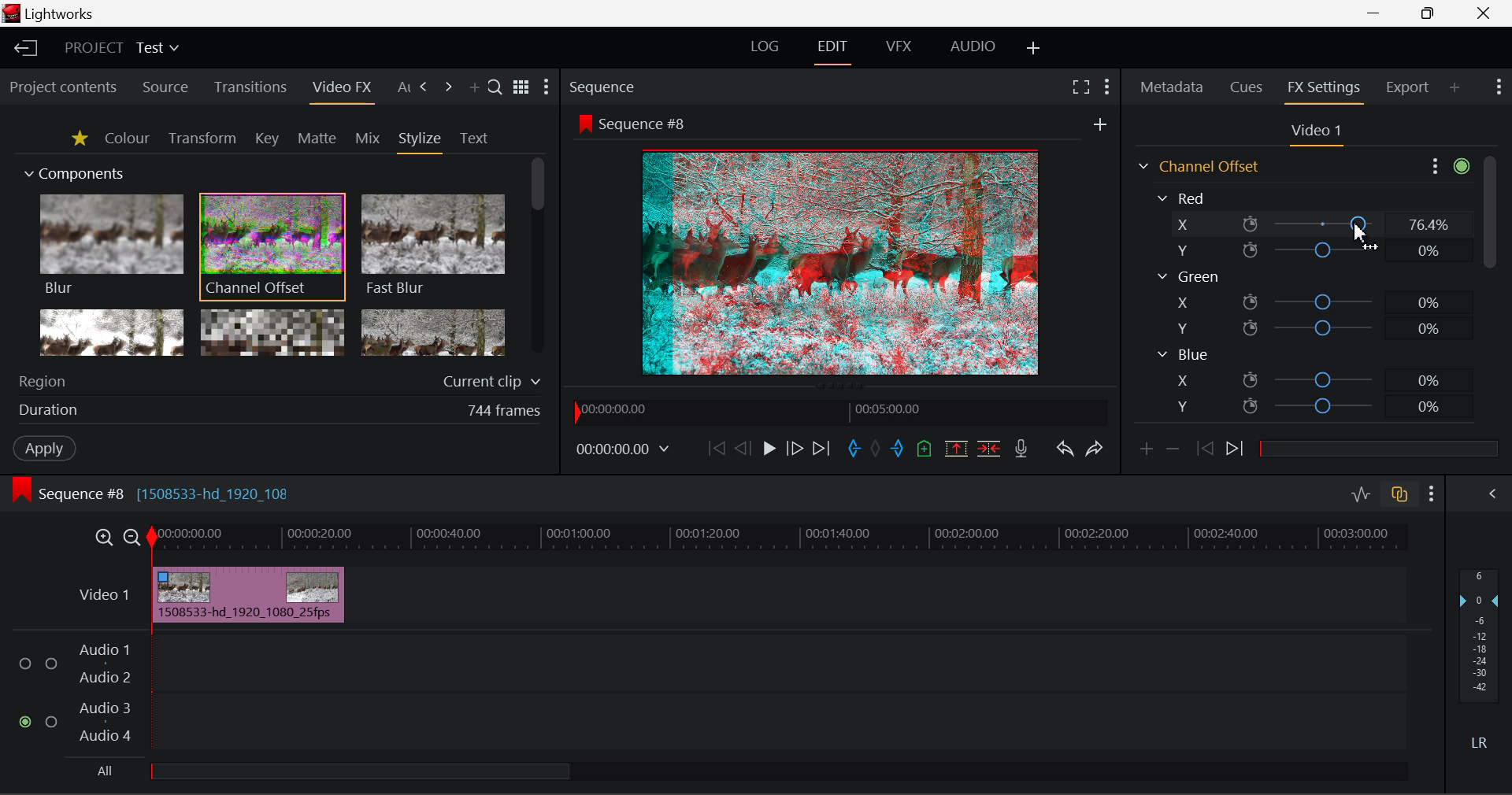 The image size is (1512, 795). I want to click on Fast Blur, so click(434, 246).